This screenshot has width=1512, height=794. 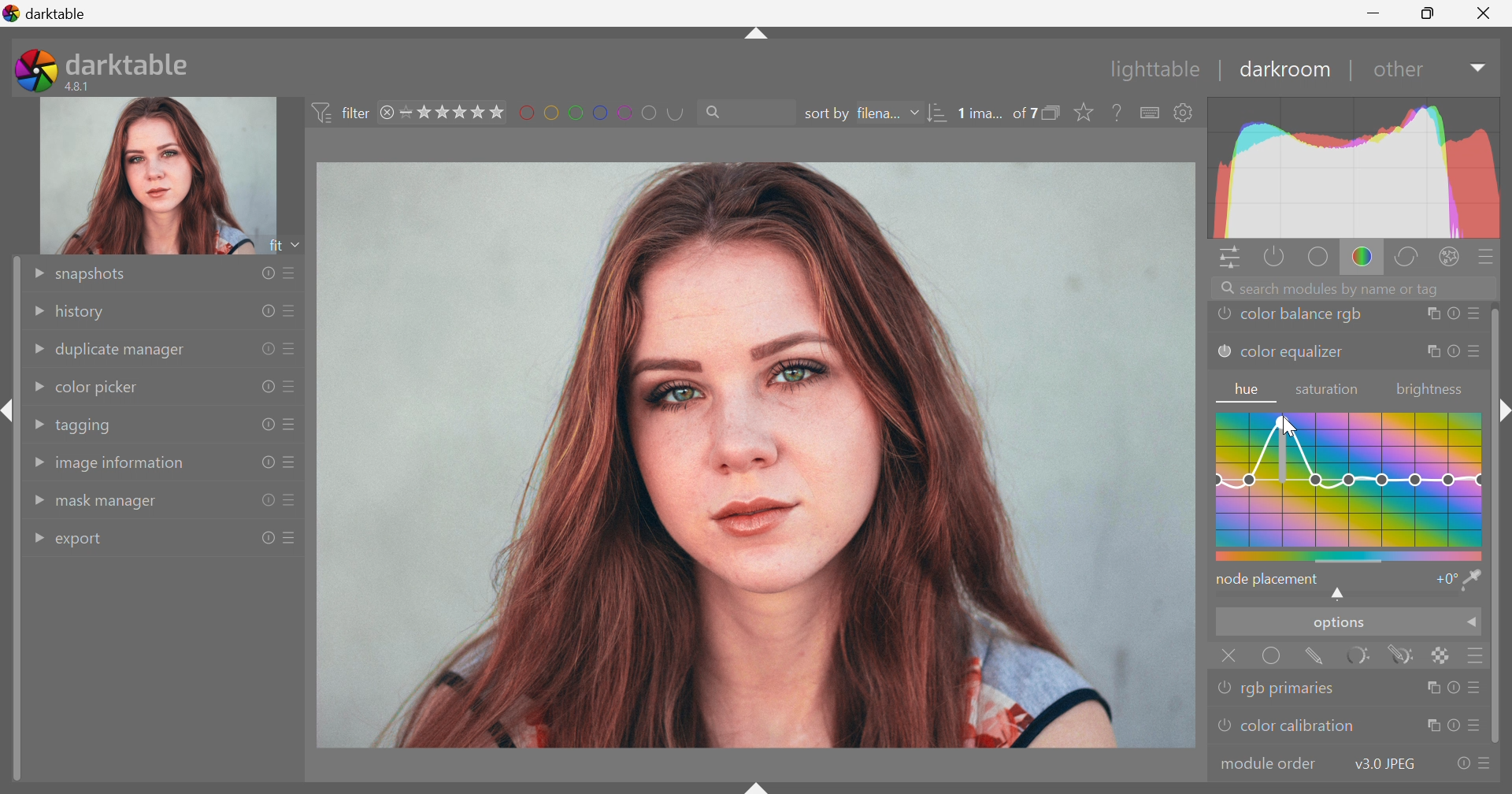 I want to click on color, so click(x=1362, y=258).